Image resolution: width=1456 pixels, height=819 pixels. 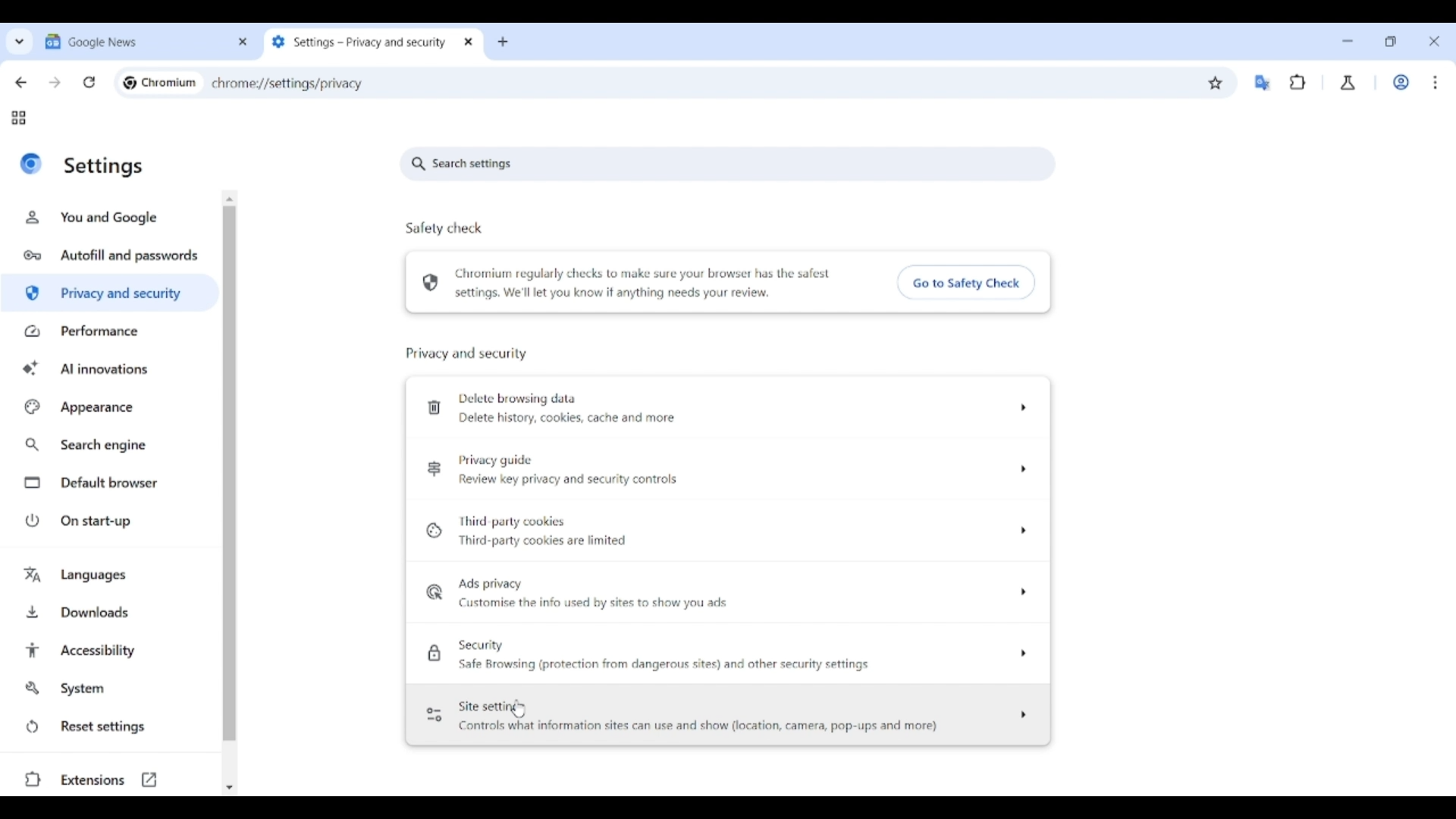 What do you see at coordinates (31, 163) in the screenshot?
I see `Logo of current site` at bounding box center [31, 163].